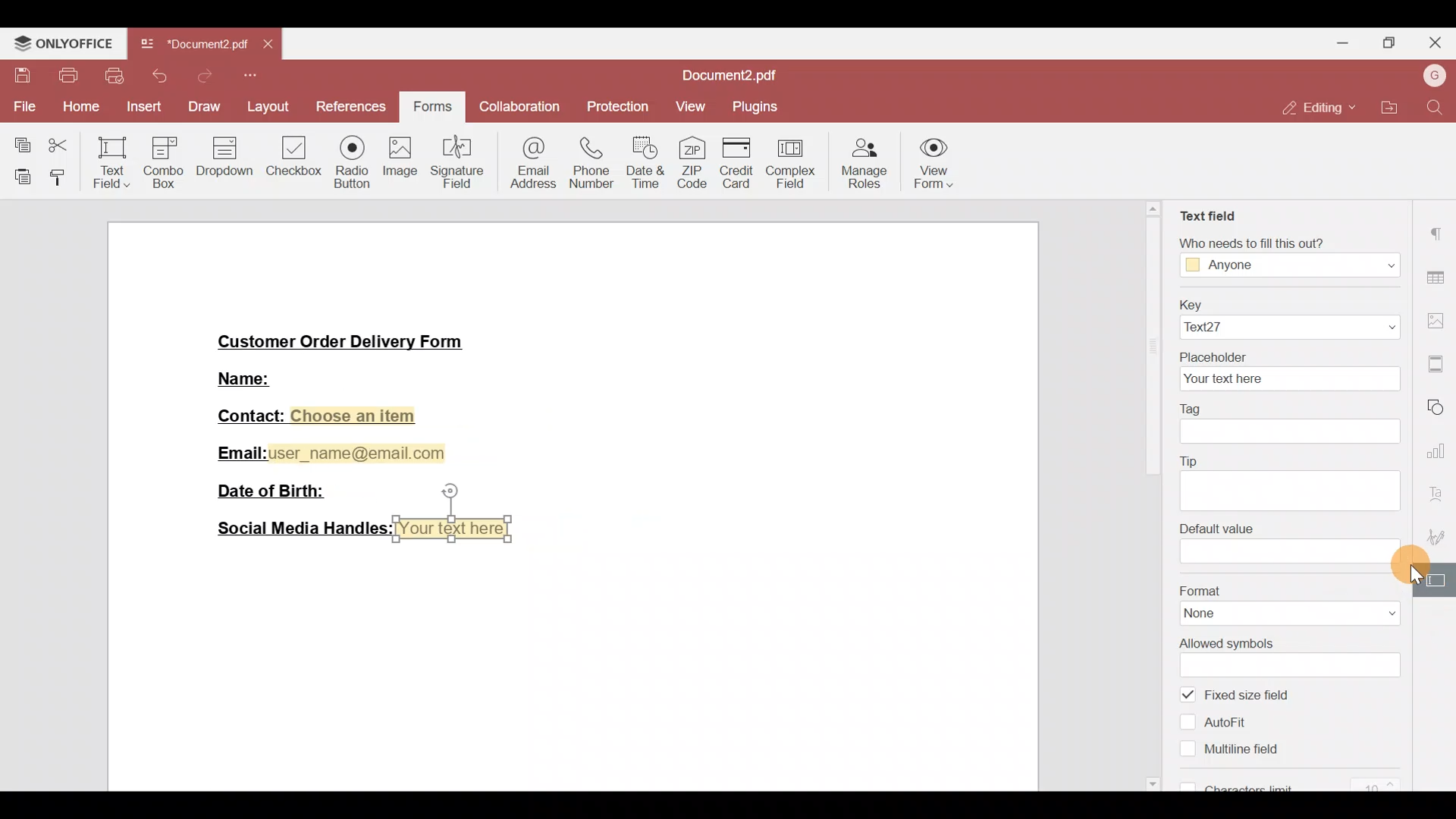 The width and height of the screenshot is (1456, 819). I want to click on Tag, so click(1290, 421).